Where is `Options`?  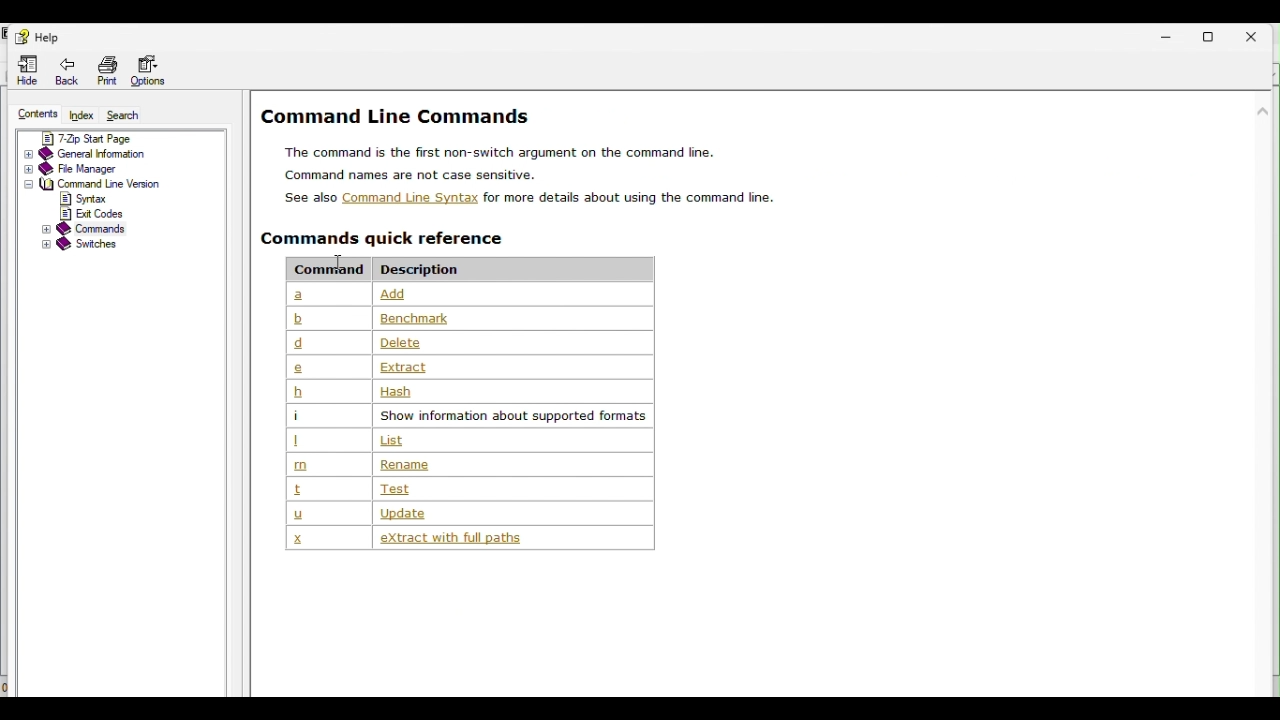
Options is located at coordinates (155, 71).